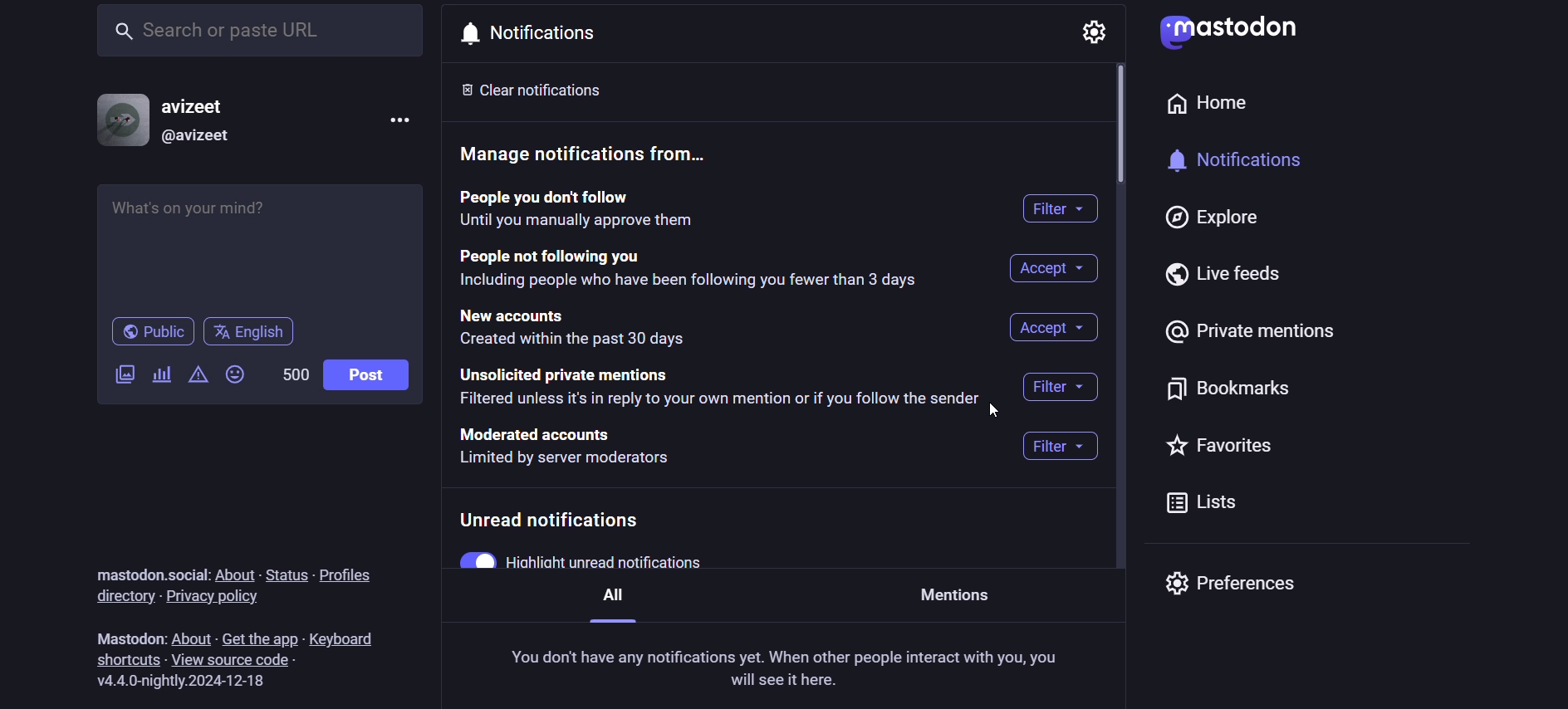 The width and height of the screenshot is (1568, 709). I want to click on directory, so click(125, 598).